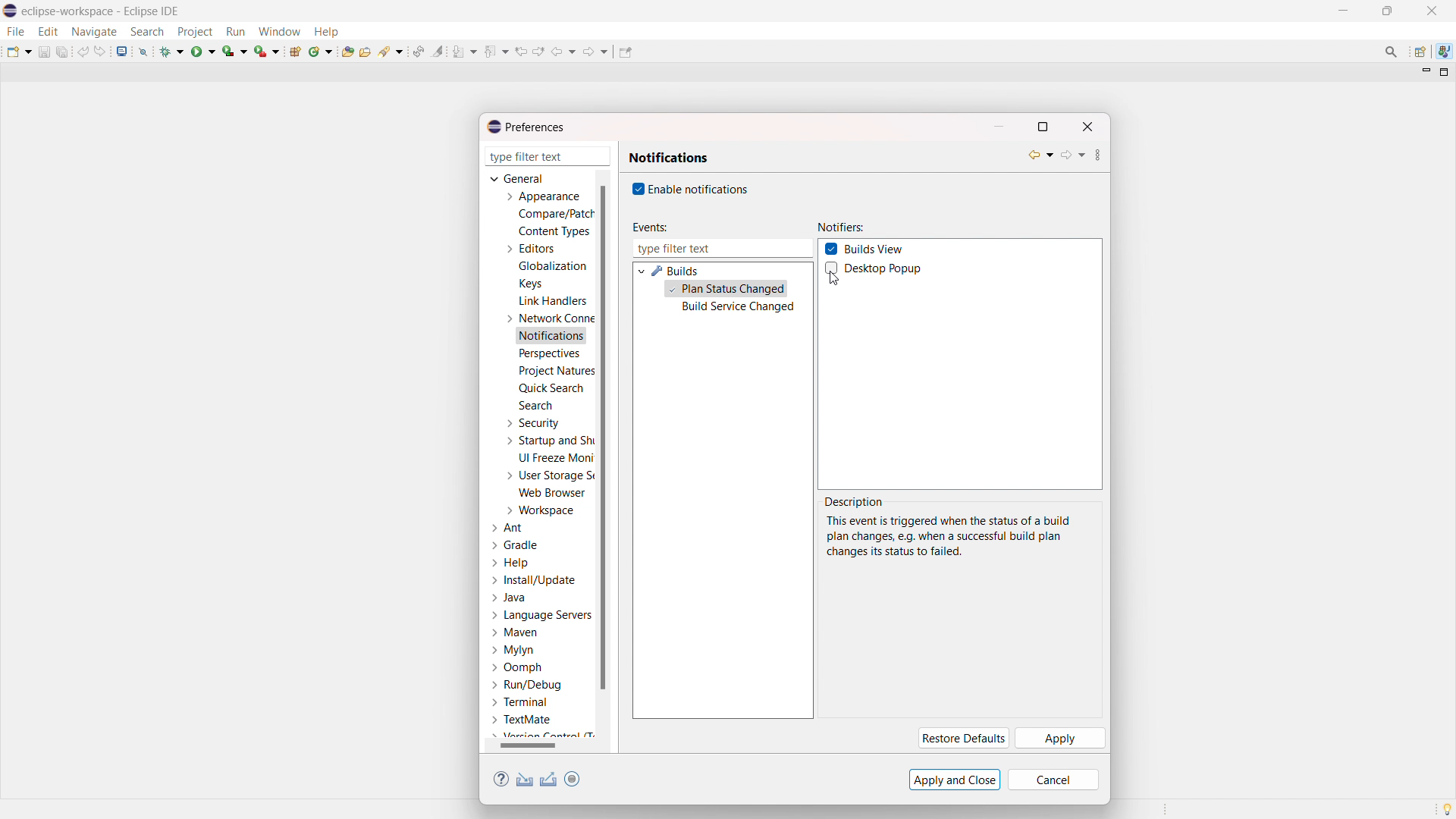 The width and height of the screenshot is (1456, 819). Describe the element at coordinates (100, 51) in the screenshot. I see `redo` at that location.